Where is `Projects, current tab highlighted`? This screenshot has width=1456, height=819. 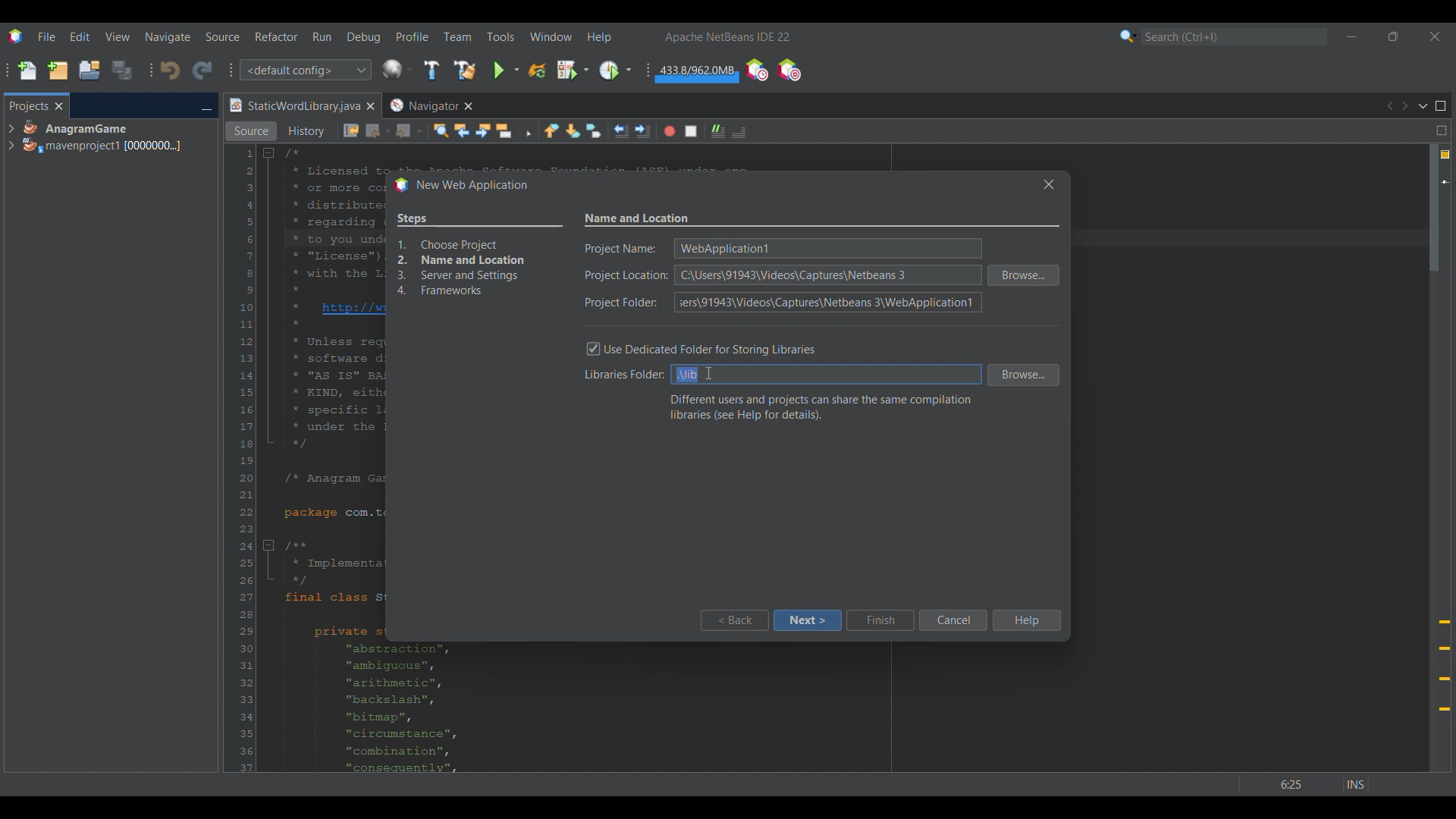
Projects, current tab highlighted is located at coordinates (28, 105).